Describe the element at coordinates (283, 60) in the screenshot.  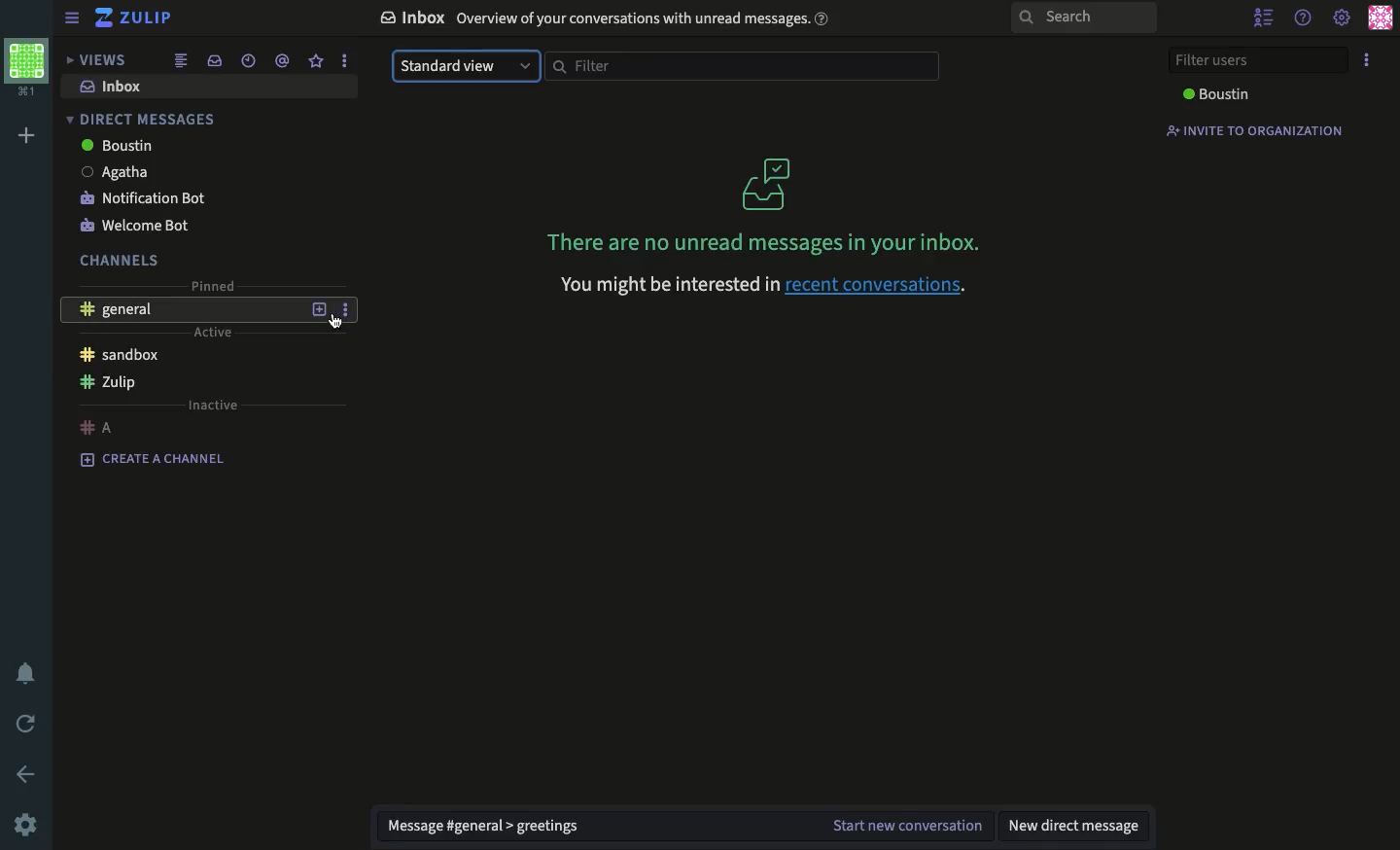
I see `mention` at that location.